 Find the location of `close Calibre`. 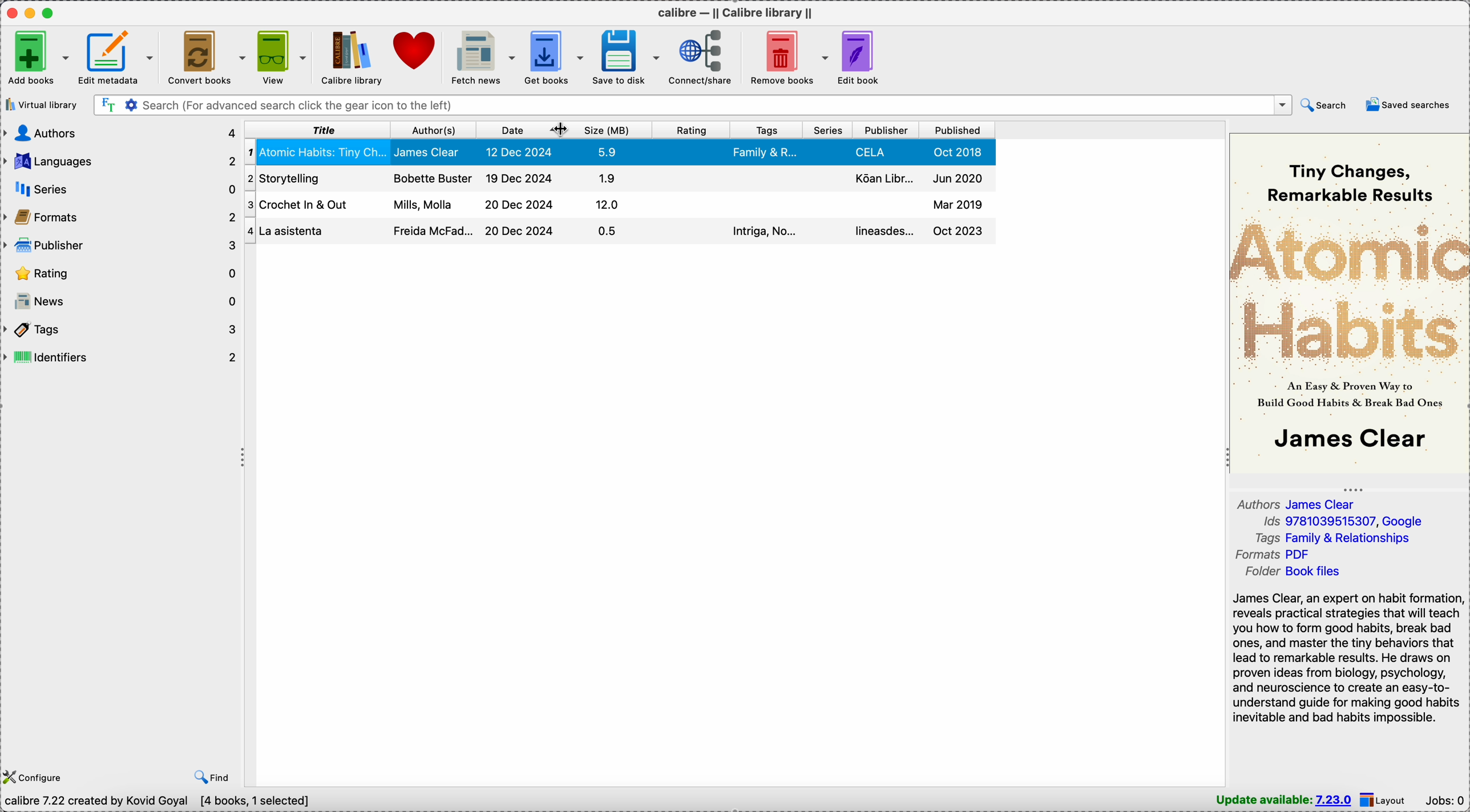

close Calibre is located at coordinates (11, 12).